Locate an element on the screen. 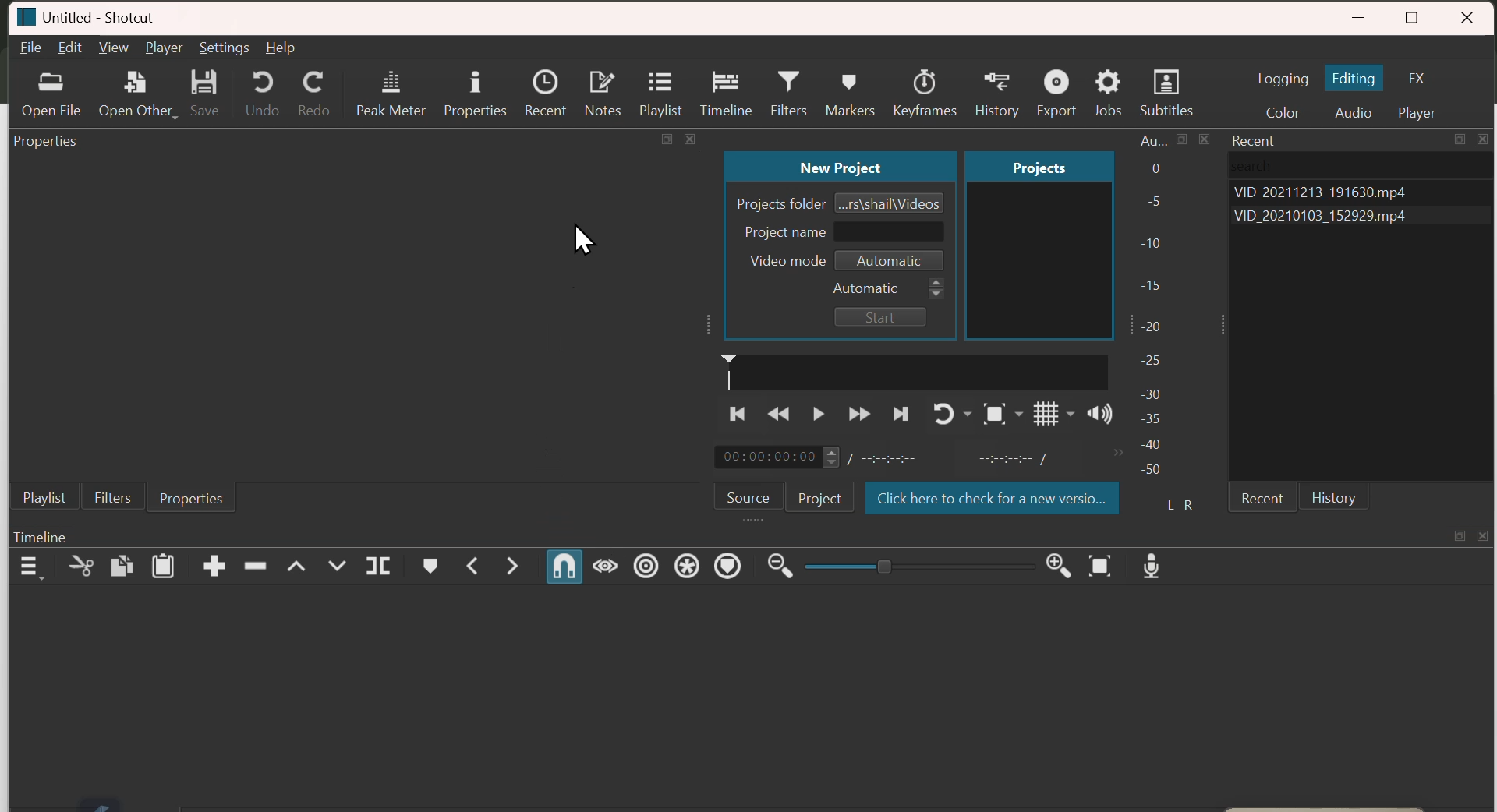 The image size is (1497, 812). Logging is located at coordinates (1284, 79).